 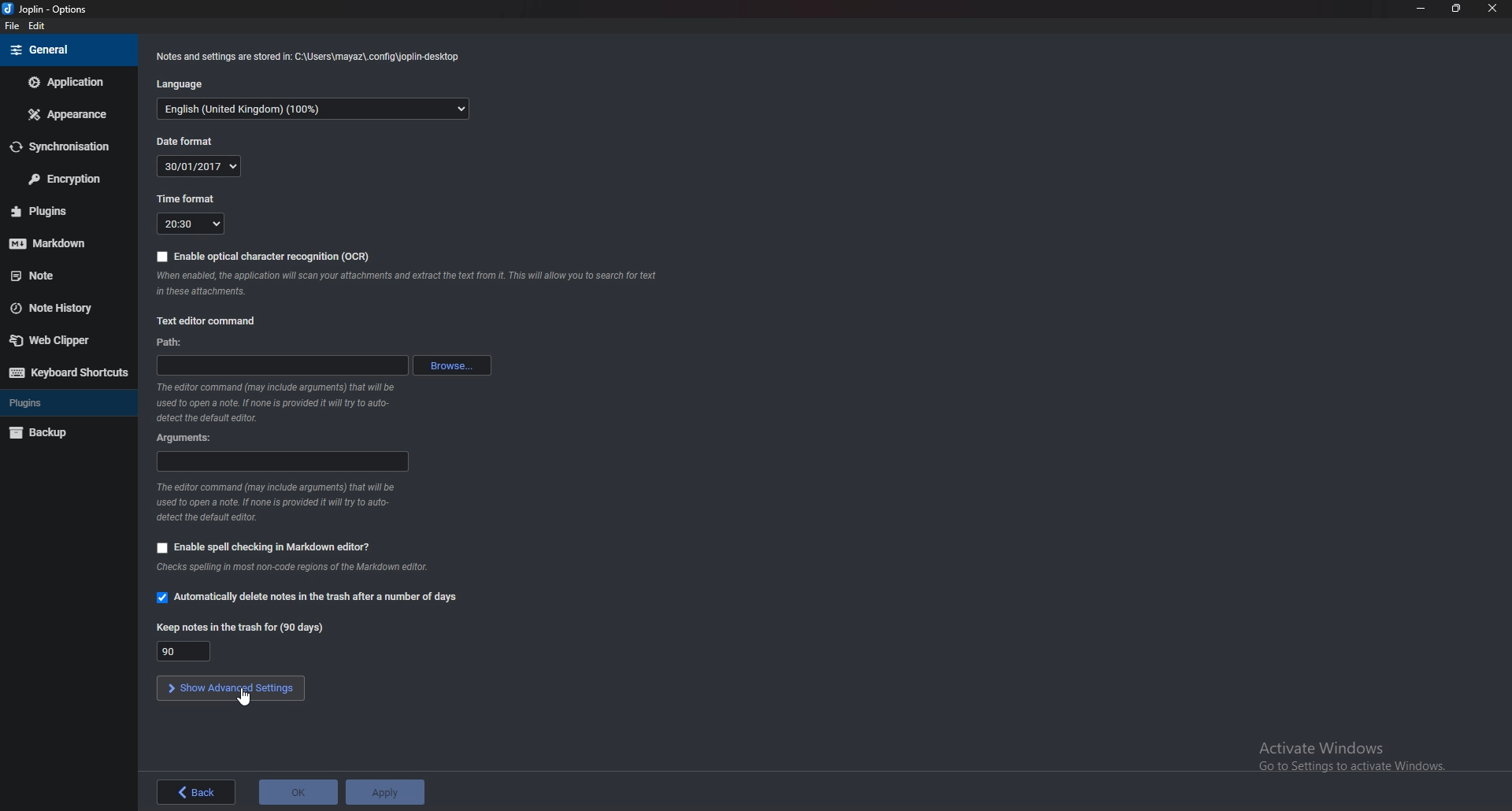 I want to click on Note history, so click(x=61, y=309).